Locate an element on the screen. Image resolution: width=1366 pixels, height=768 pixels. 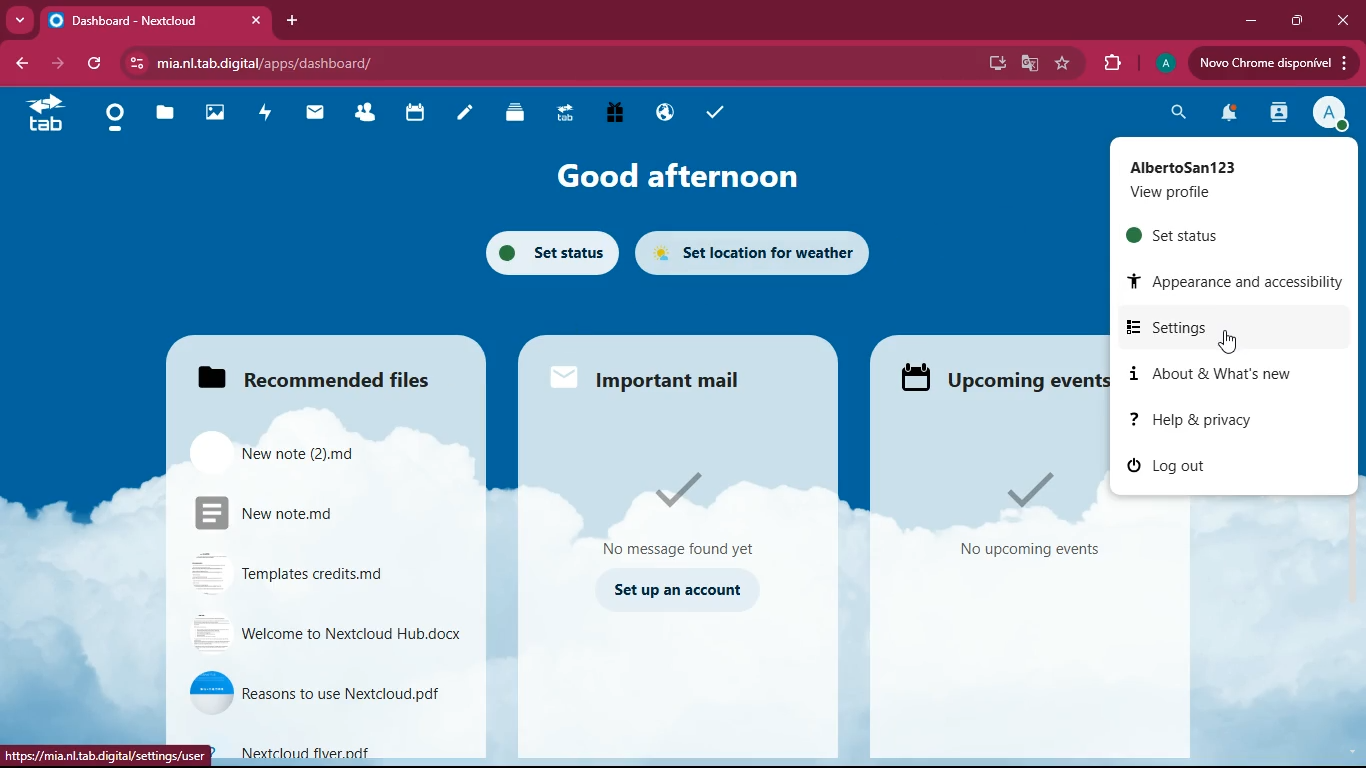
tab is located at coordinates (46, 114).